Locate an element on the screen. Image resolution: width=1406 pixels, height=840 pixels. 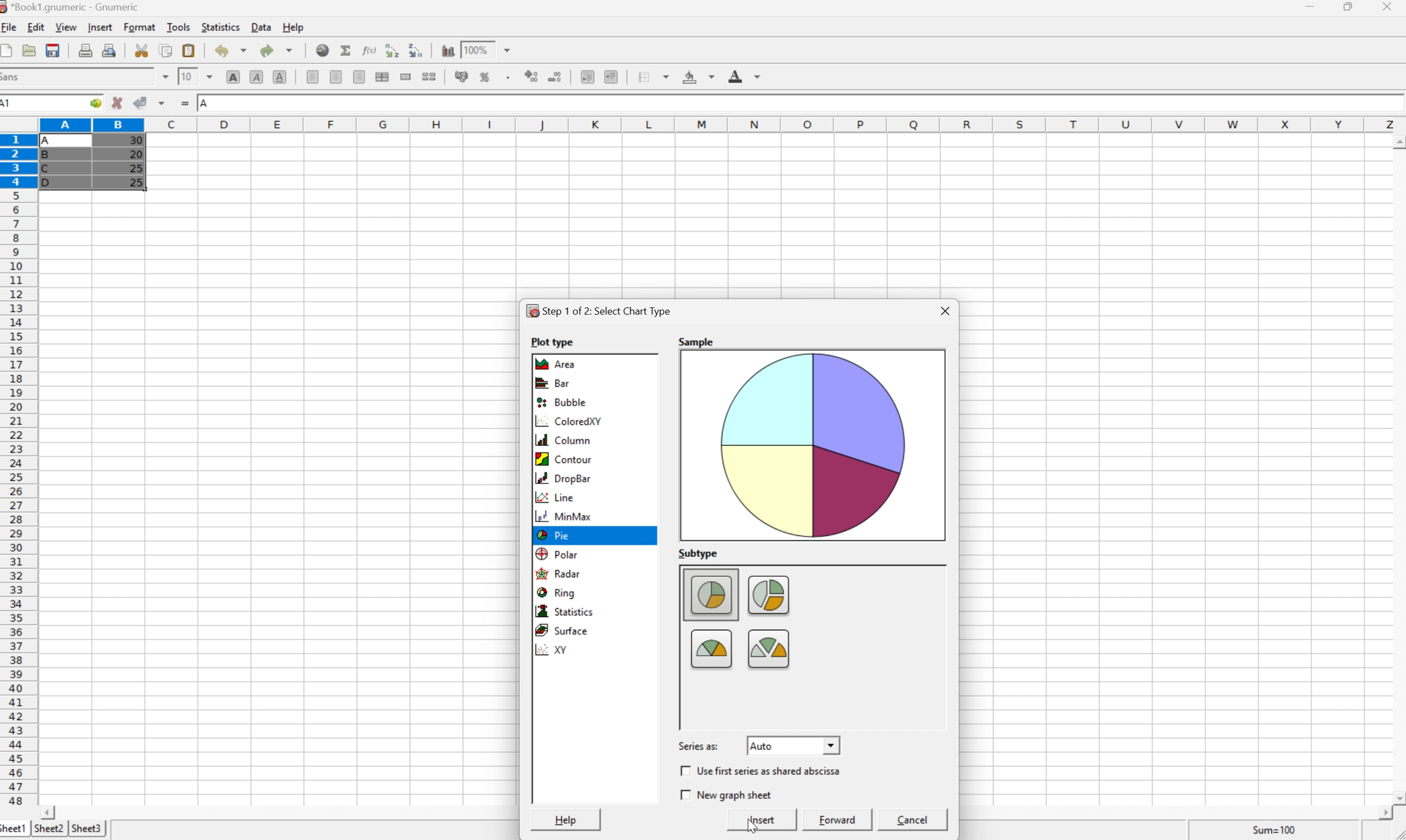
Sort the selected region in descending order based on the first column selected is located at coordinates (391, 49).